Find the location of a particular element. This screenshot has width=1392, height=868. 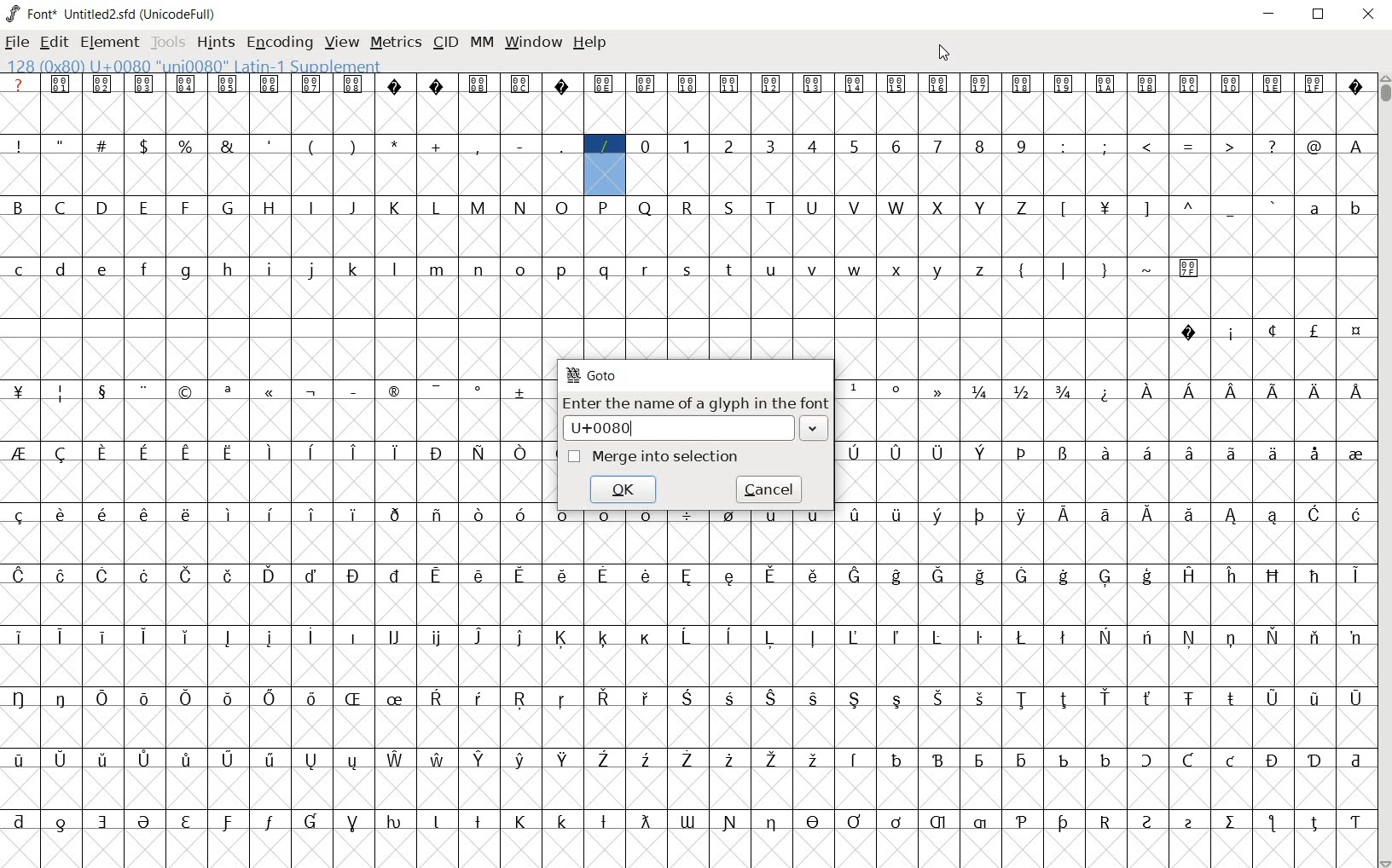

glyph is located at coordinates (20, 821).